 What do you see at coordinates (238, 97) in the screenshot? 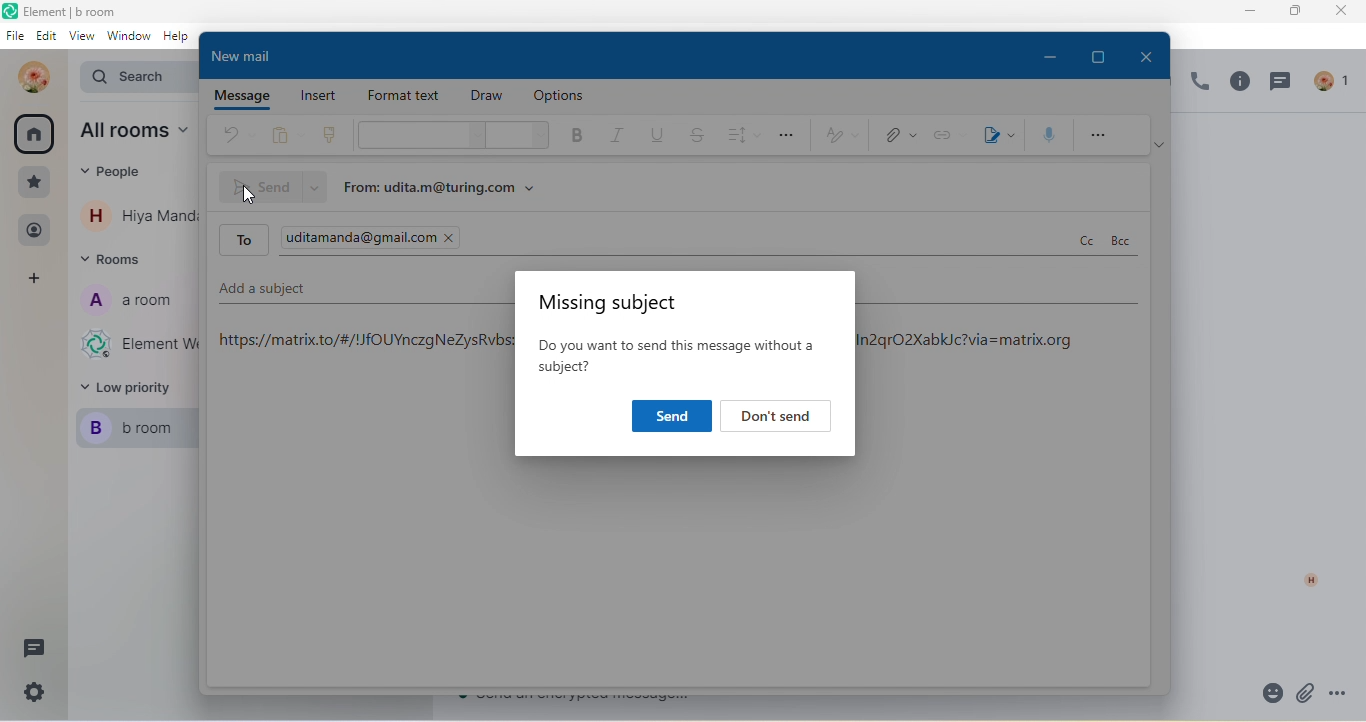
I see `message` at bounding box center [238, 97].